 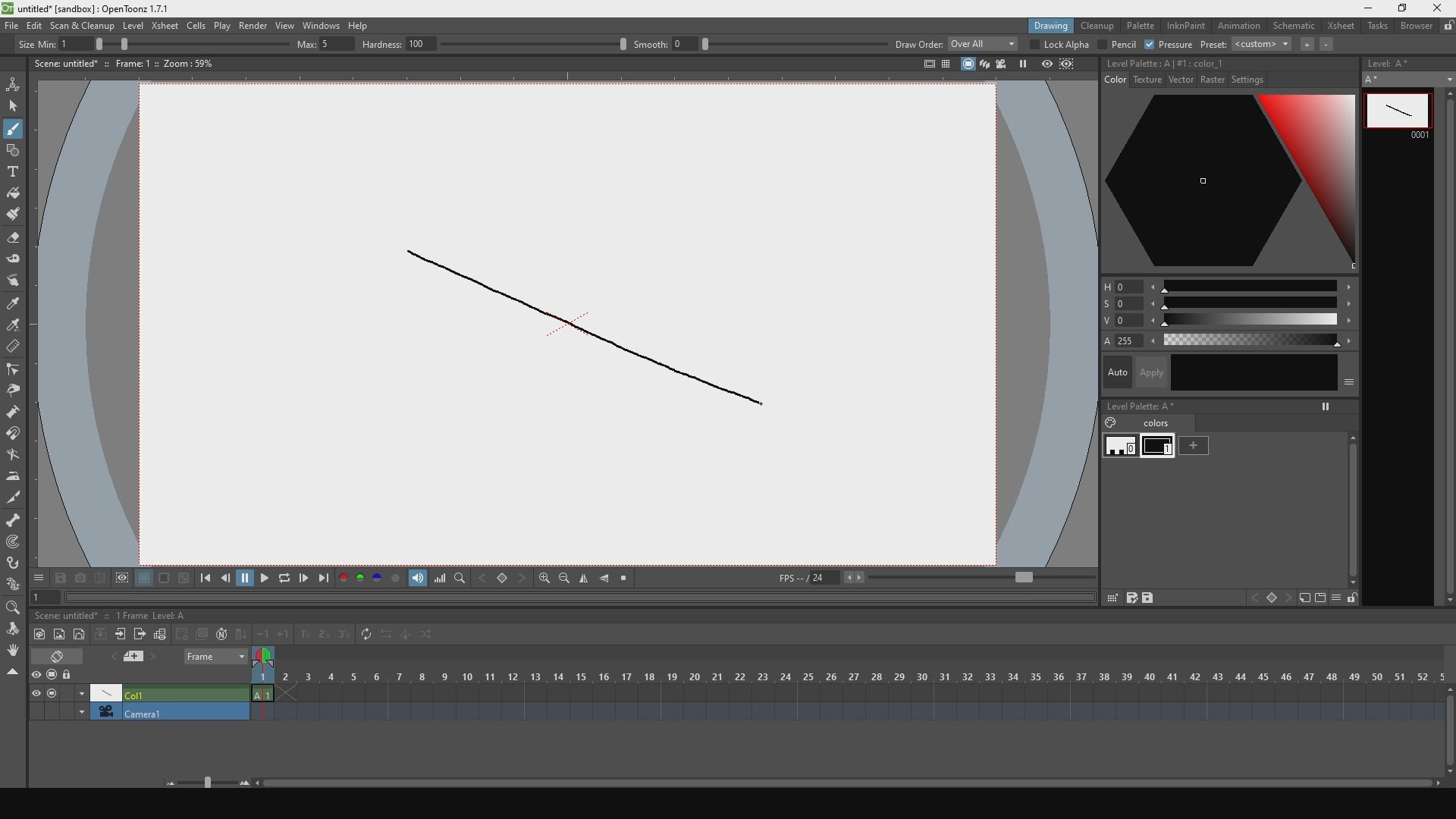 What do you see at coordinates (33, 24) in the screenshot?
I see `edit` at bounding box center [33, 24].